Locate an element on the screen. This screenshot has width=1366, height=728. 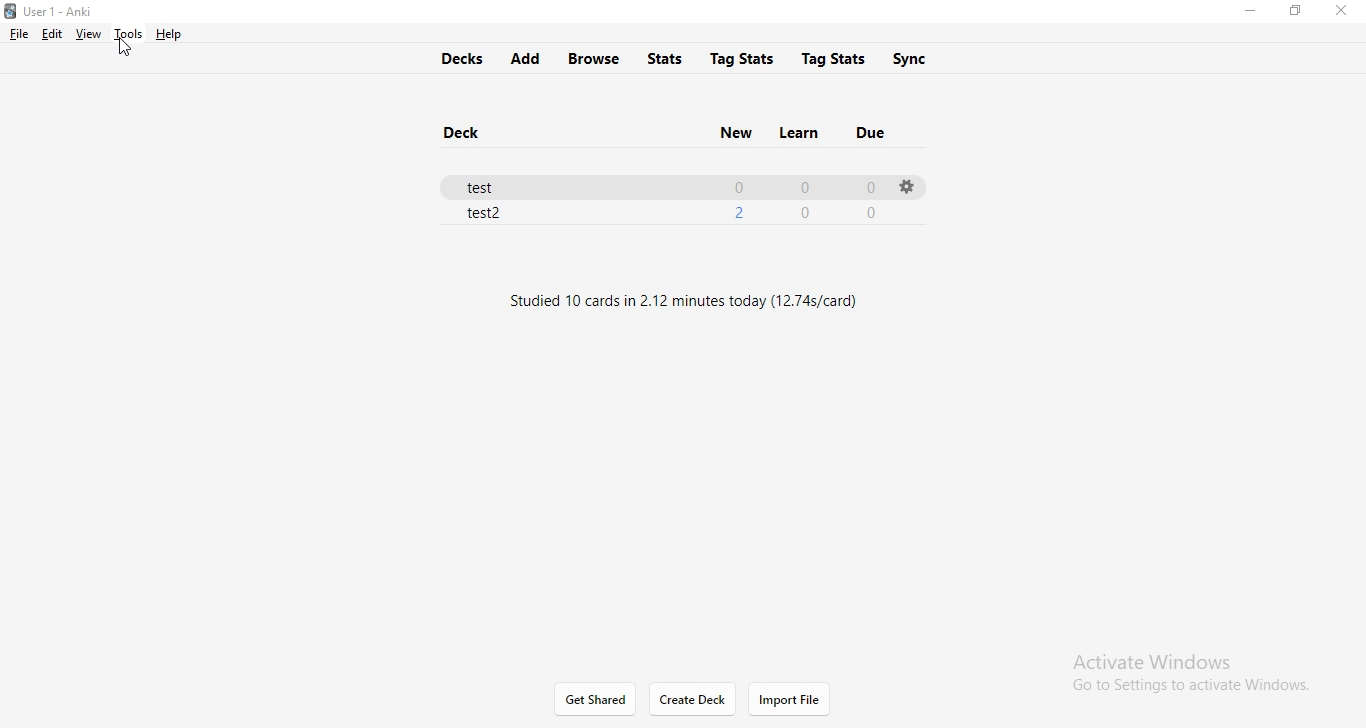
sync is located at coordinates (913, 58).